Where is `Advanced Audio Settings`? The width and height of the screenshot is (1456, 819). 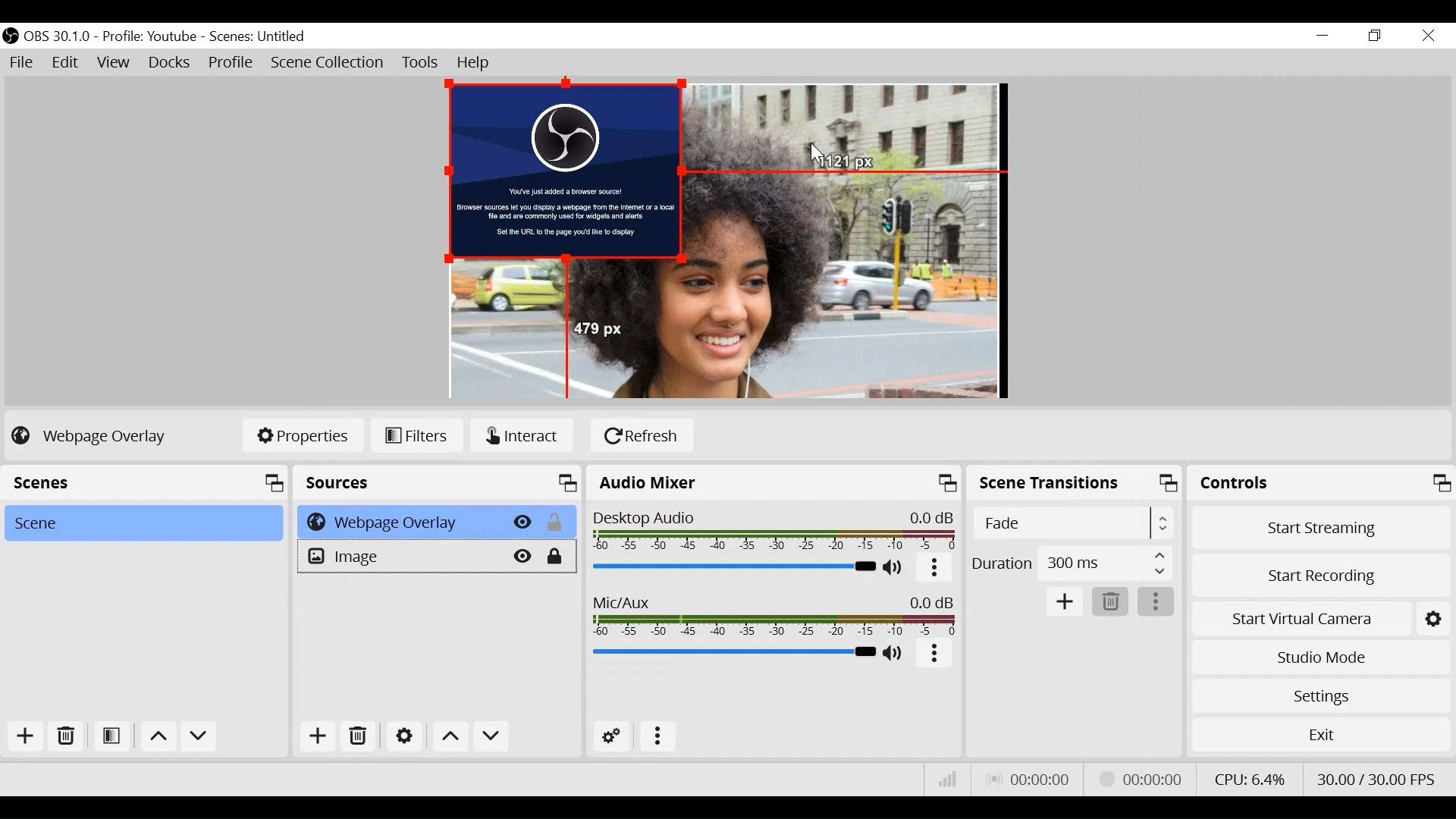 Advanced Audio Settings is located at coordinates (612, 737).